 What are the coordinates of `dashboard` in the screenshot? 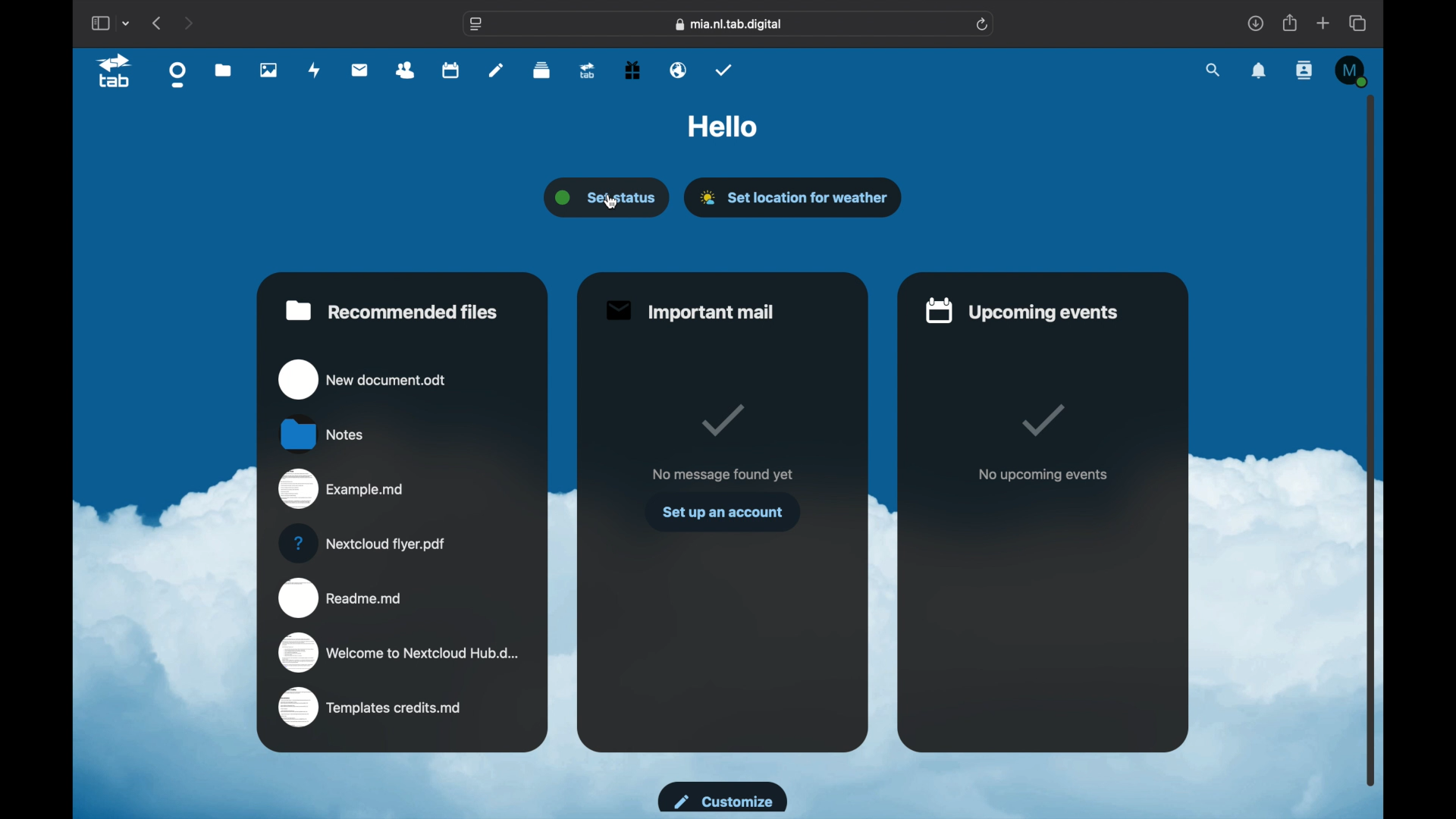 It's located at (178, 75).